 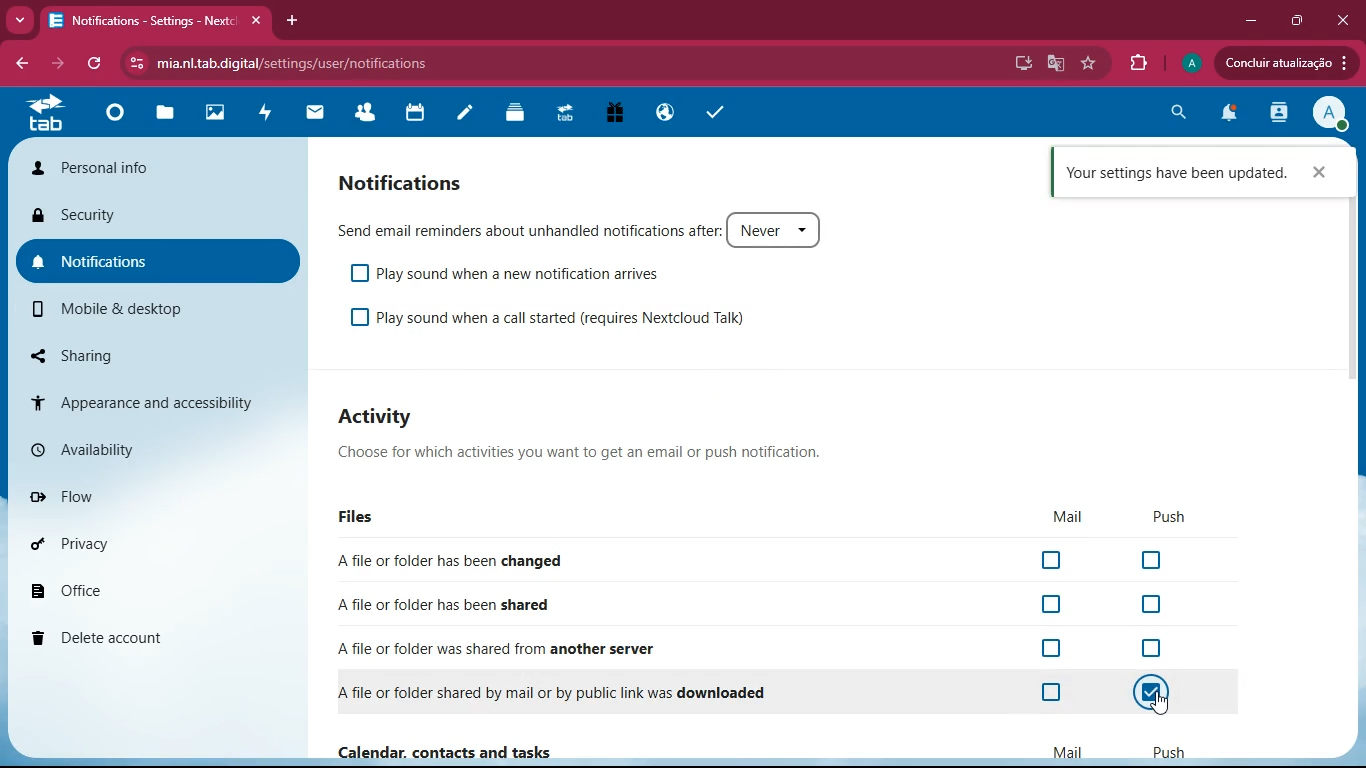 I want to click on delete account, so click(x=119, y=635).